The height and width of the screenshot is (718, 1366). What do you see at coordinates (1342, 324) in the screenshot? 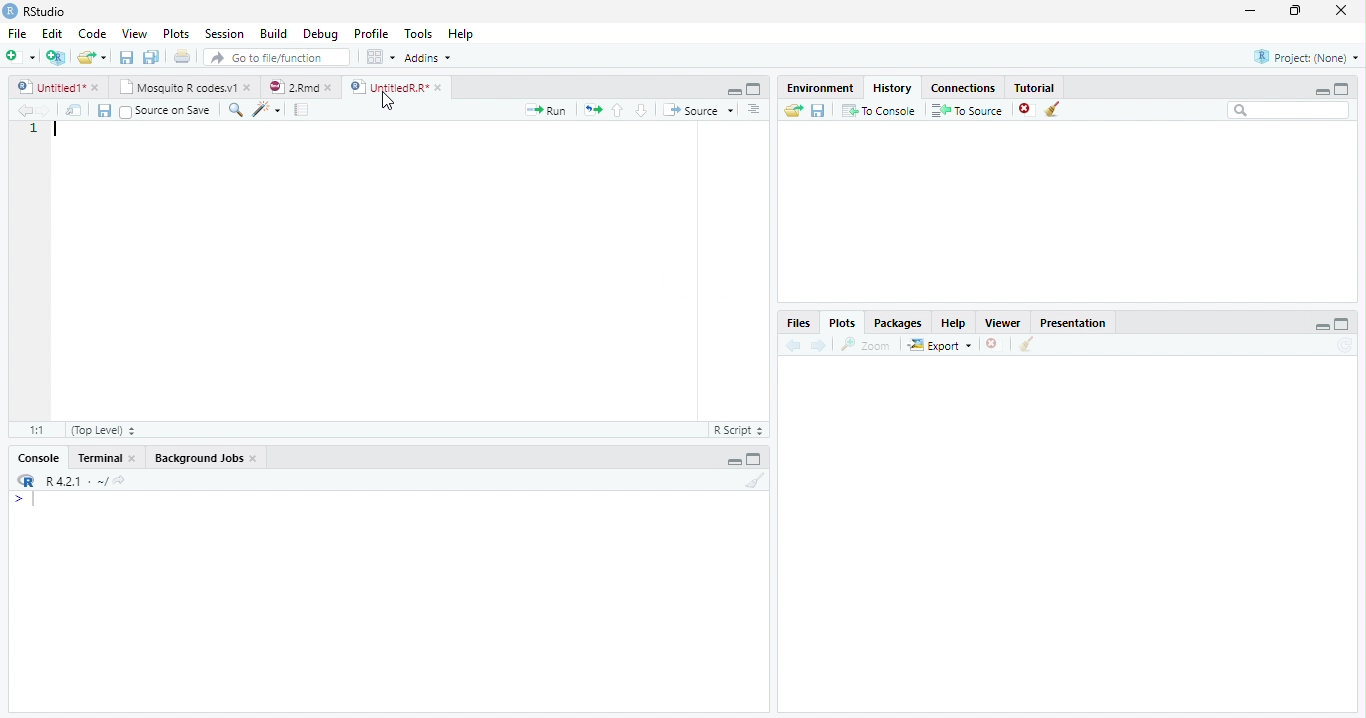
I see `Maximize` at bounding box center [1342, 324].